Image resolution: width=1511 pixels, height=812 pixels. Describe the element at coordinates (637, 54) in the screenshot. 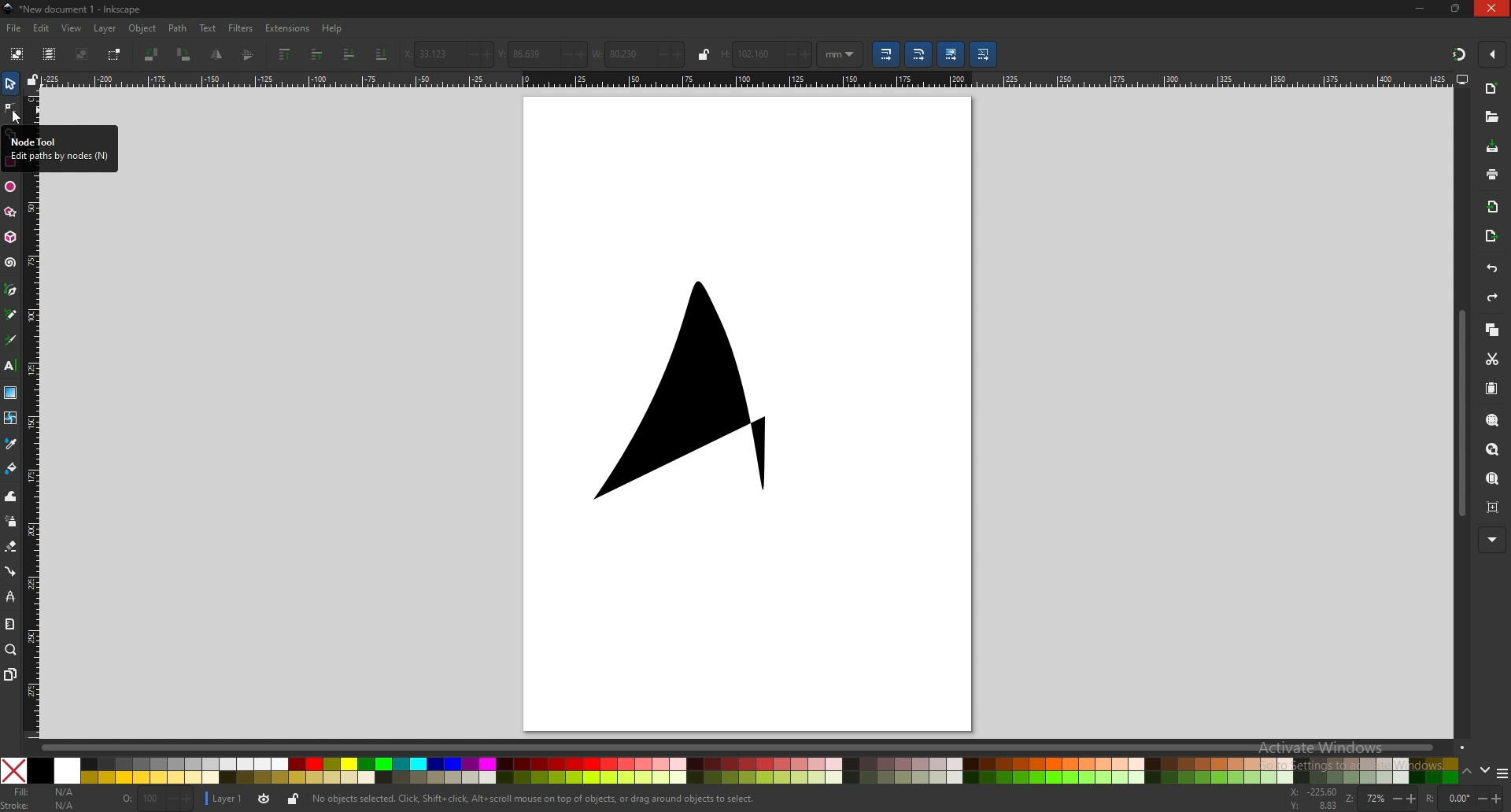

I see `width` at that location.